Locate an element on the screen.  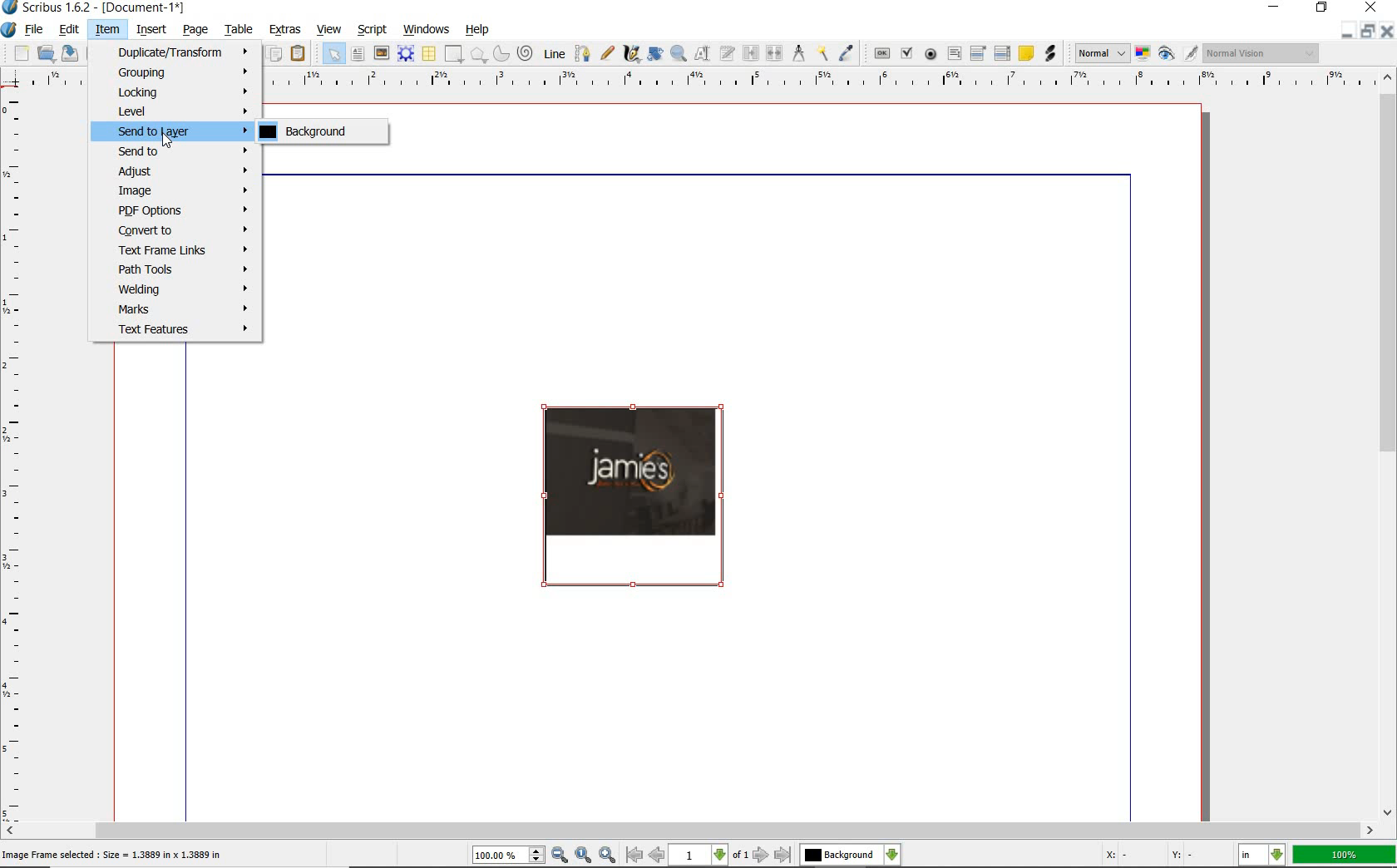
scrollbar is located at coordinates (691, 830).